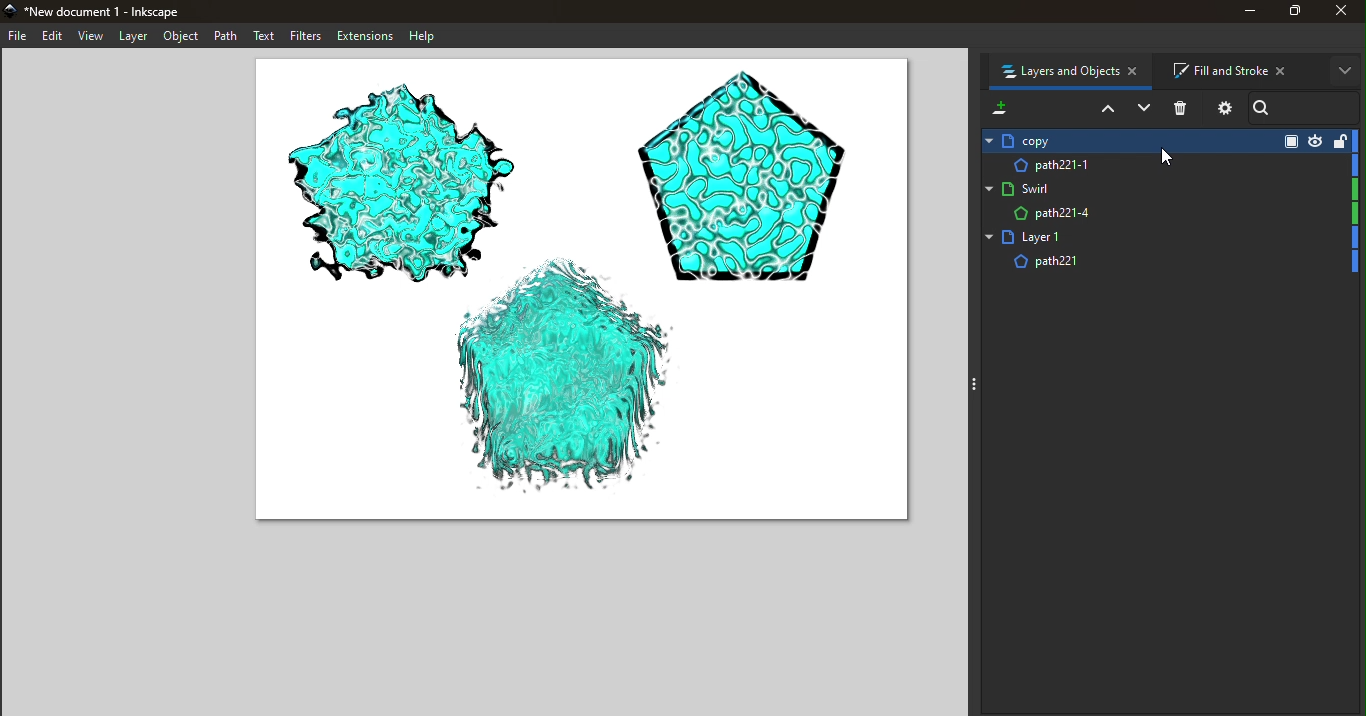 The image size is (1366, 716). Describe the element at coordinates (302, 36) in the screenshot. I see `Filters` at that location.